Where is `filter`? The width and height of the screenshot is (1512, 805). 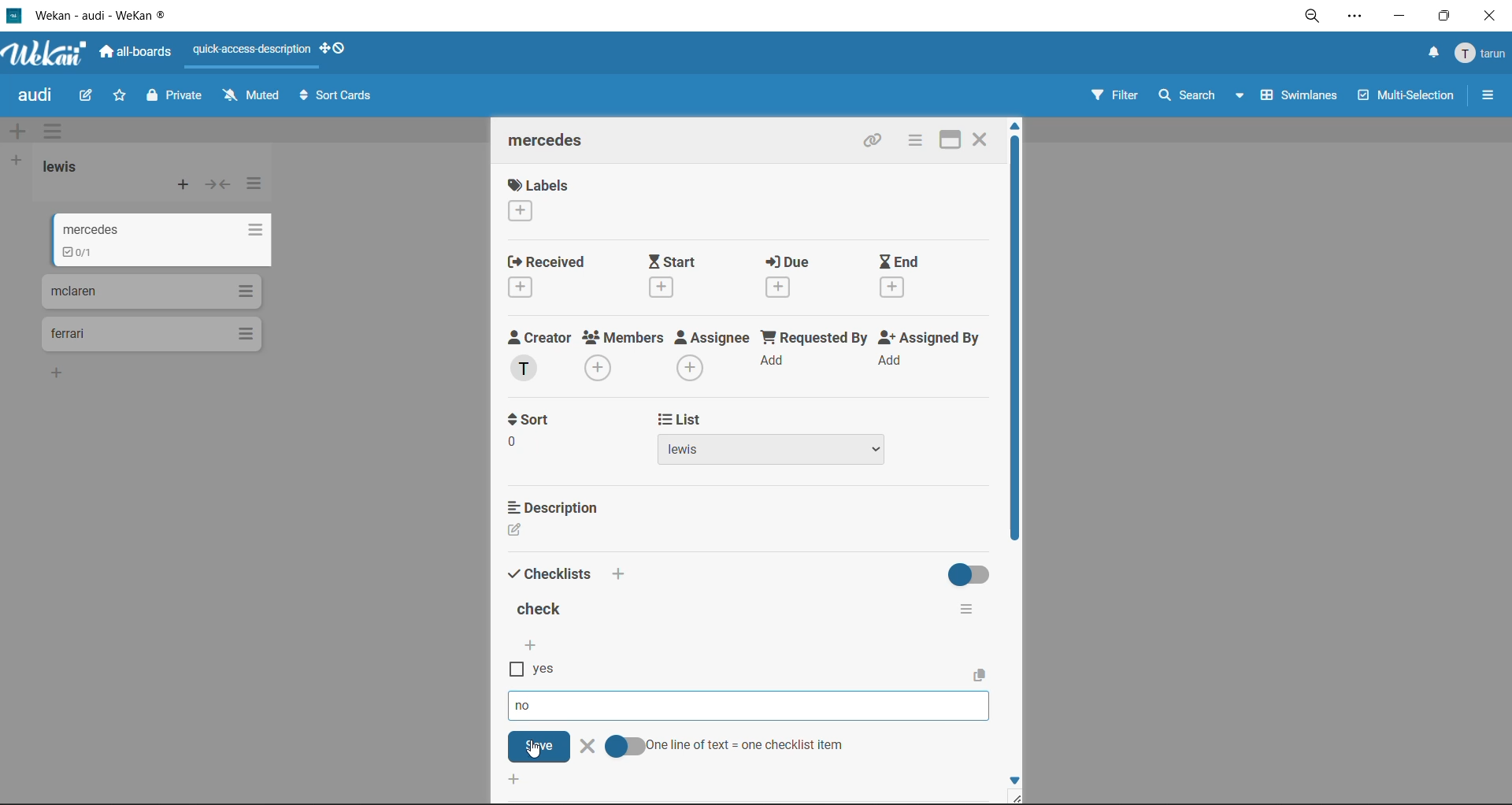 filter is located at coordinates (1113, 98).